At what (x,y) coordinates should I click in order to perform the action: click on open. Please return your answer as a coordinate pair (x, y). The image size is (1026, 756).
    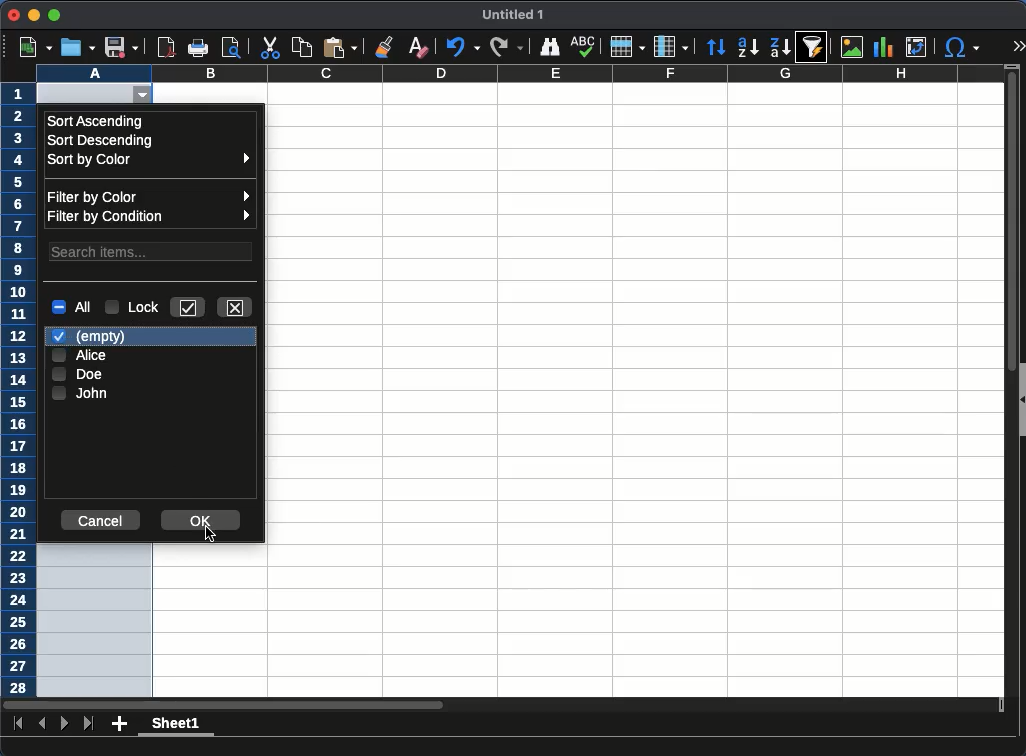
    Looking at the image, I should click on (78, 47).